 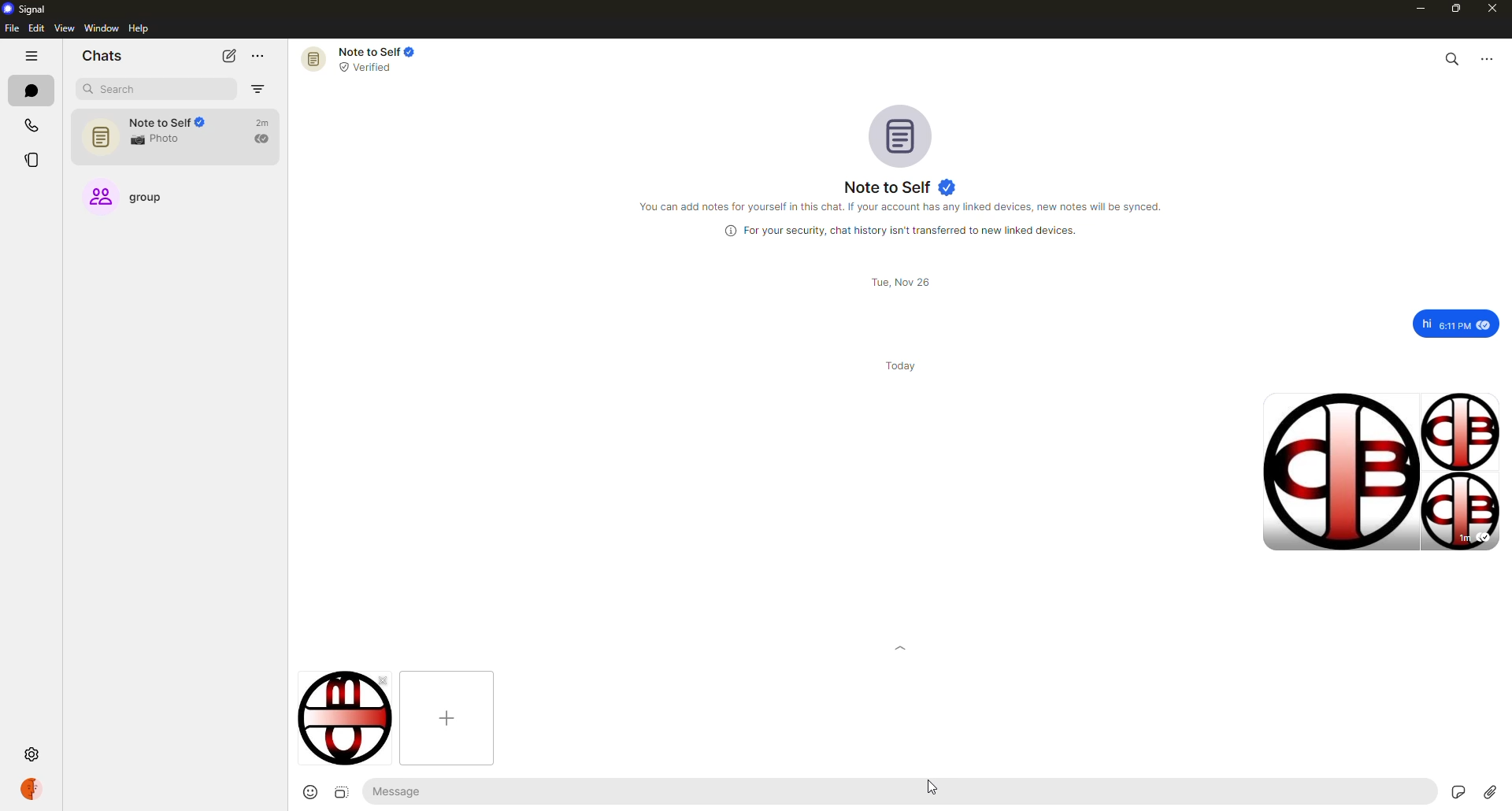 I want to click on profile, so click(x=33, y=787).